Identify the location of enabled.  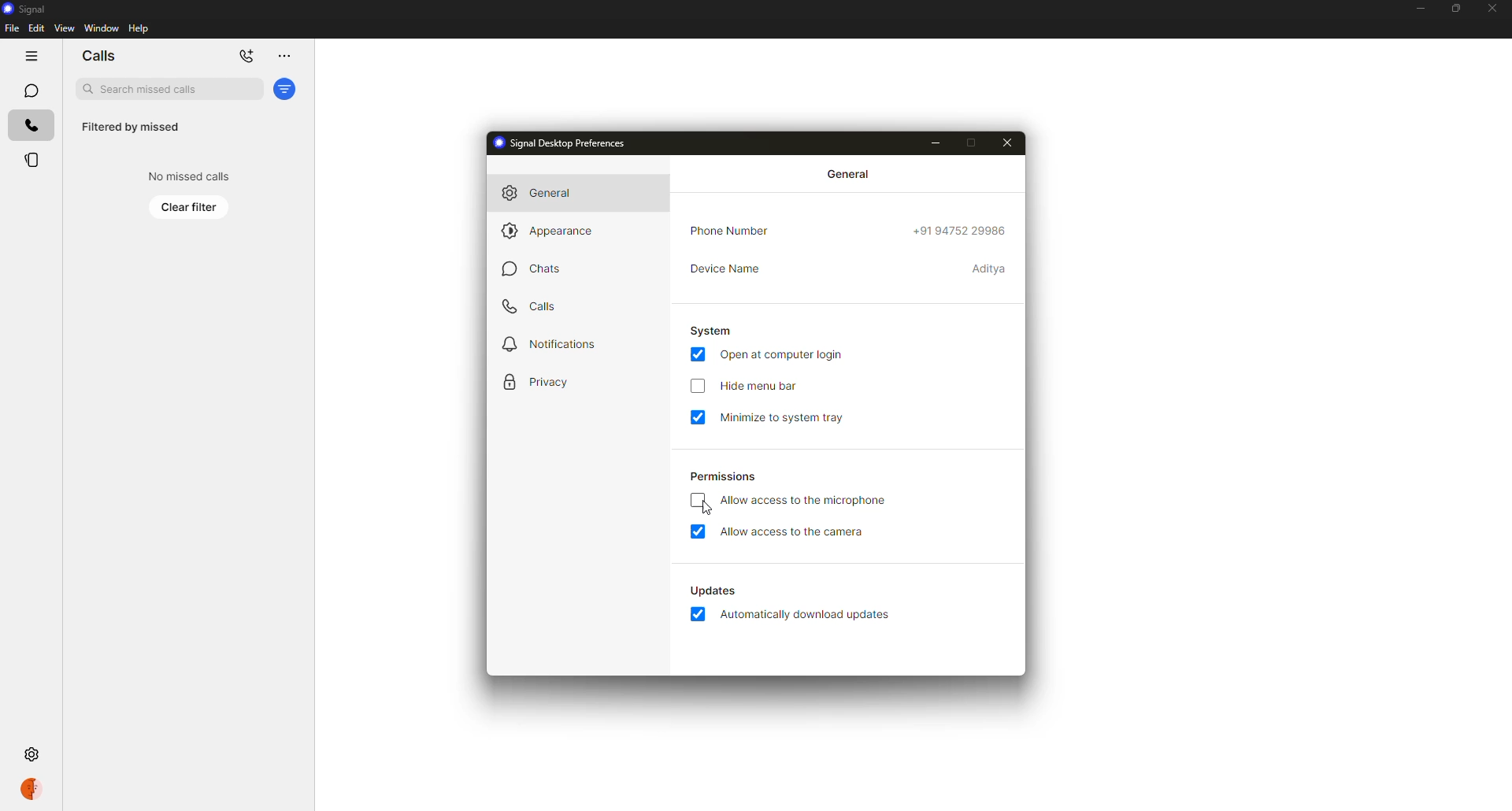
(698, 417).